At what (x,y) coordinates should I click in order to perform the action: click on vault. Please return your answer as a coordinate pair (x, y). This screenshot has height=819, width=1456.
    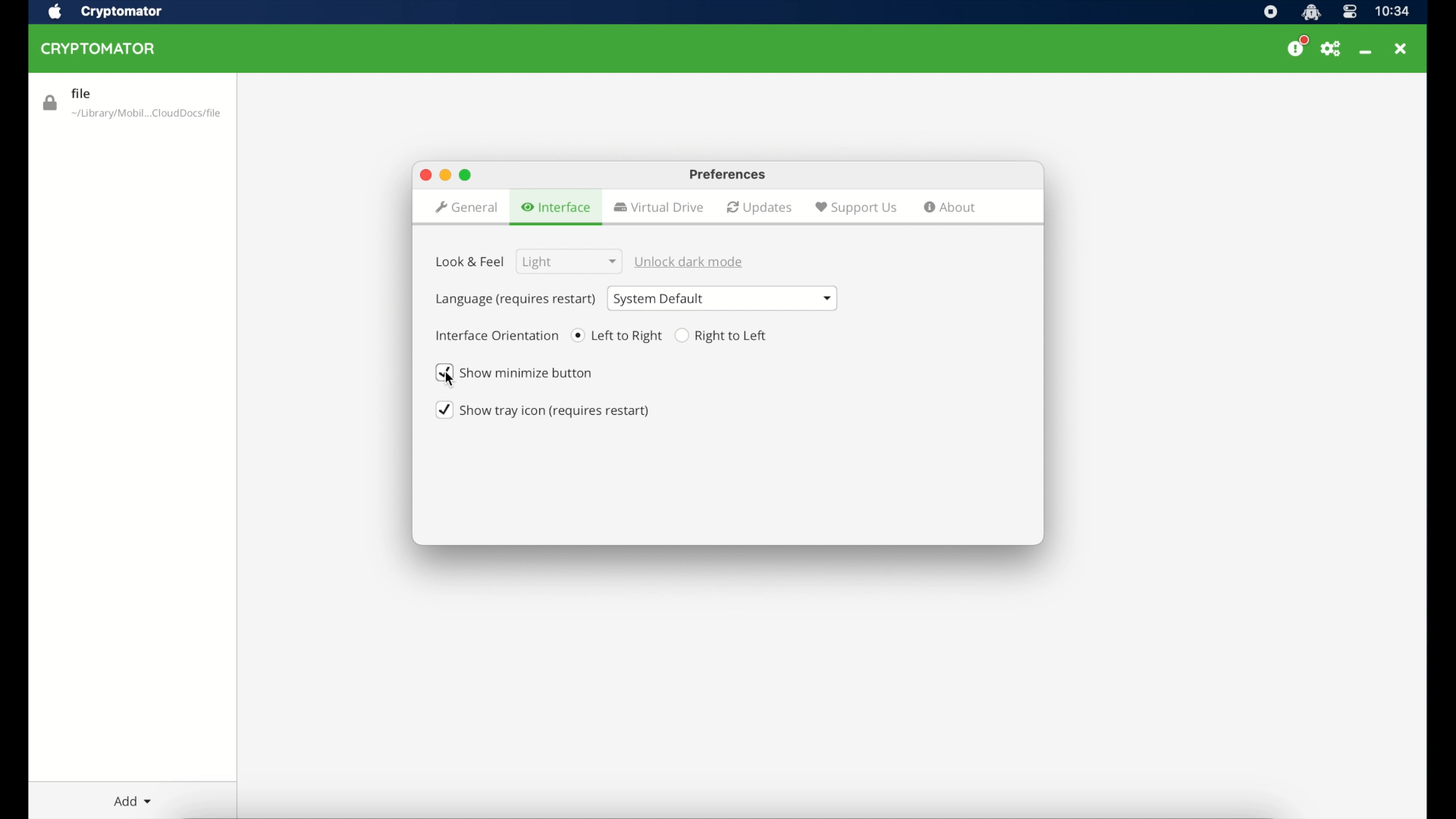
    Looking at the image, I should click on (133, 105).